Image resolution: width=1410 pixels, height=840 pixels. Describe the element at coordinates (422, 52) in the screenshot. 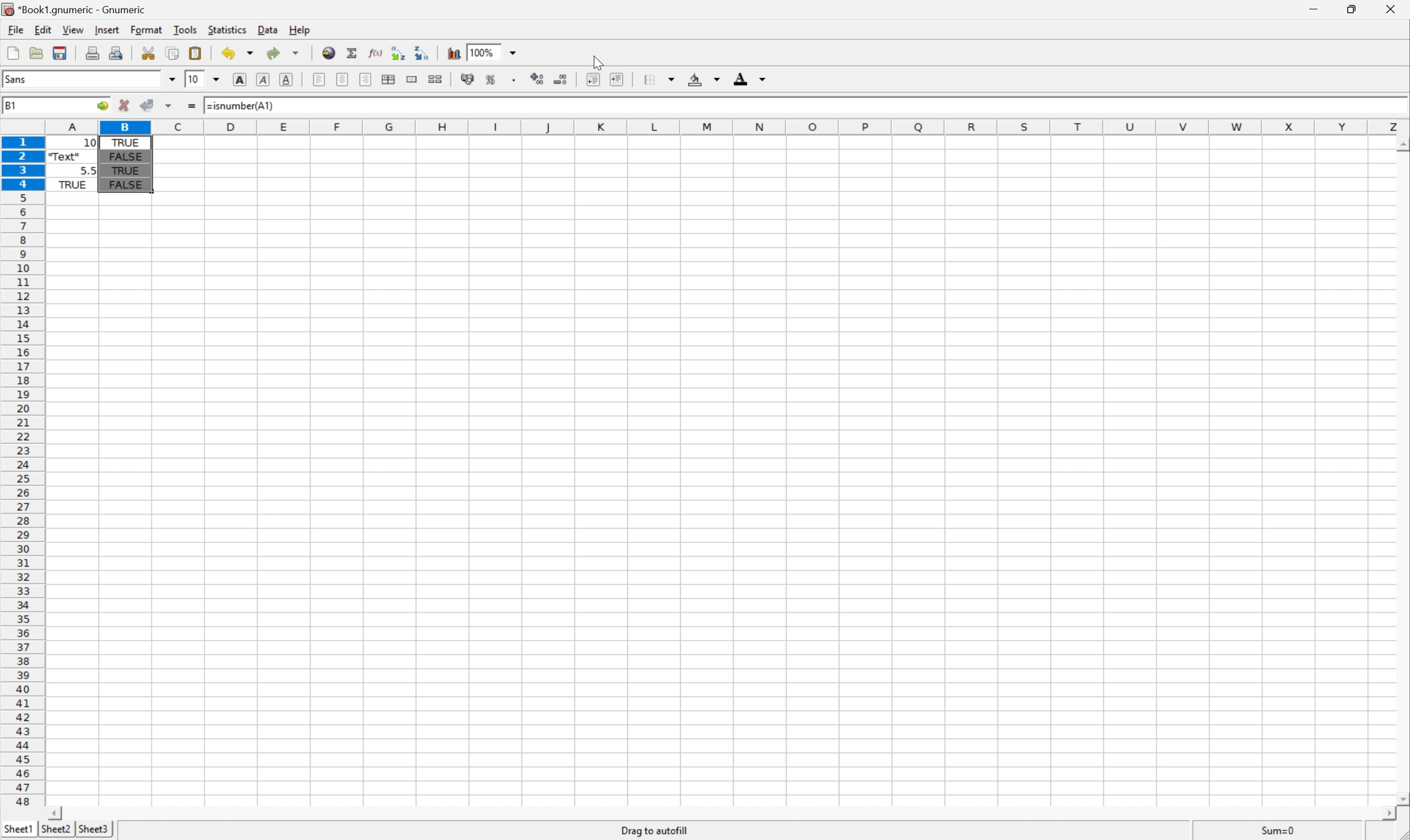

I see `Sort the selected region in descending order based on the first column selected` at that location.